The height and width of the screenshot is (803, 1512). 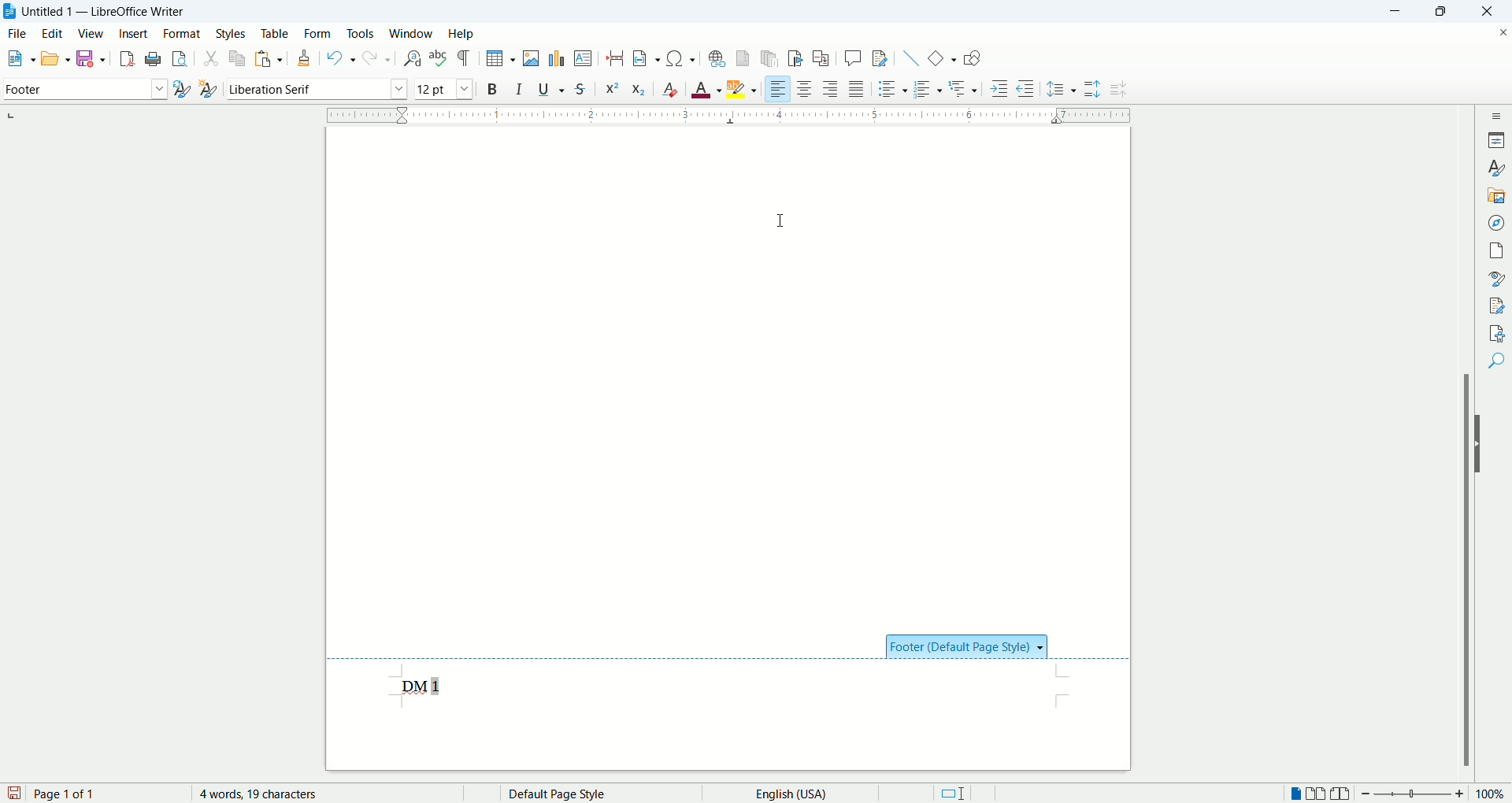 What do you see at coordinates (1319, 794) in the screenshot?
I see `double page view` at bounding box center [1319, 794].